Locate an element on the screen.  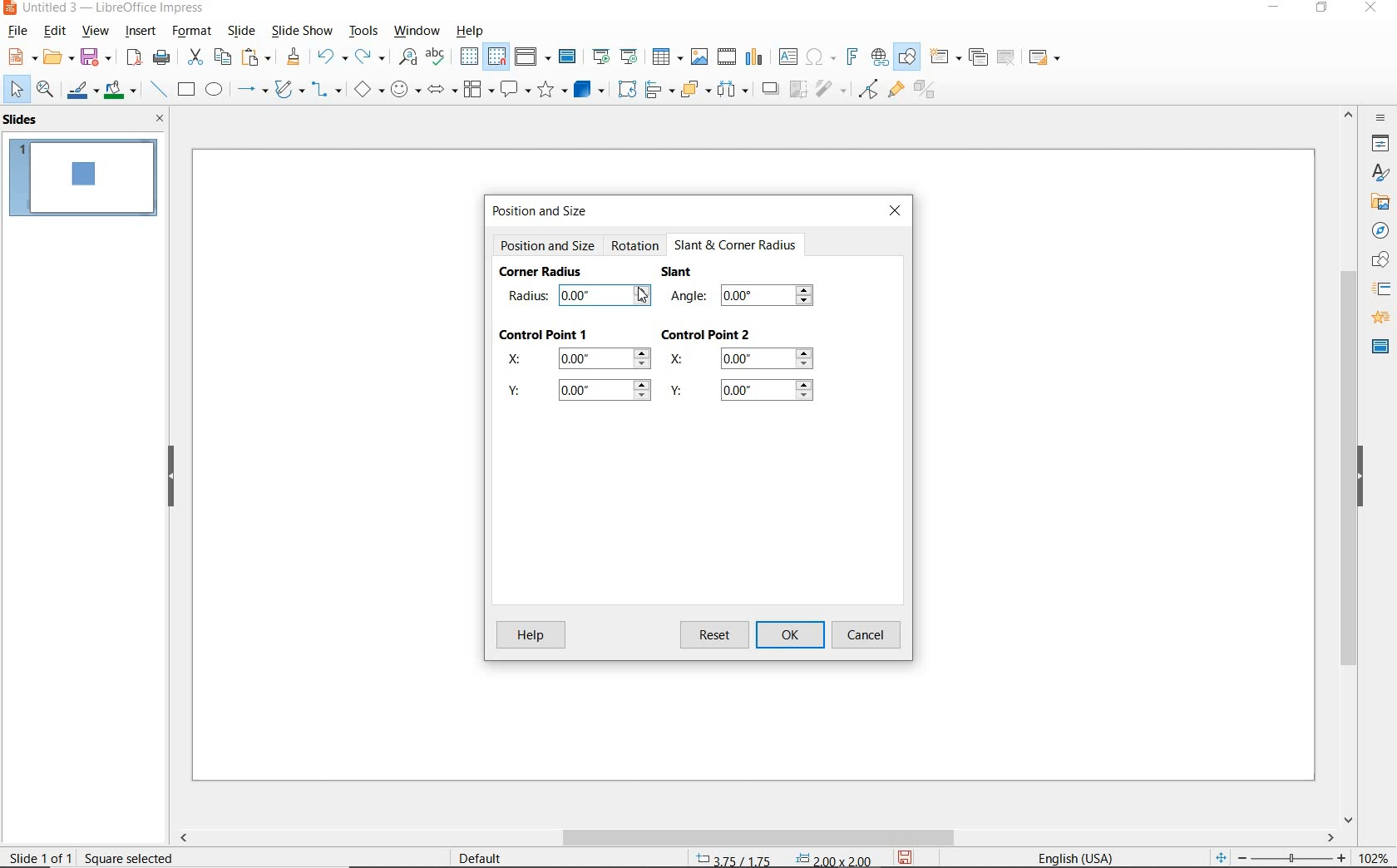
position and size is located at coordinates (778, 856).